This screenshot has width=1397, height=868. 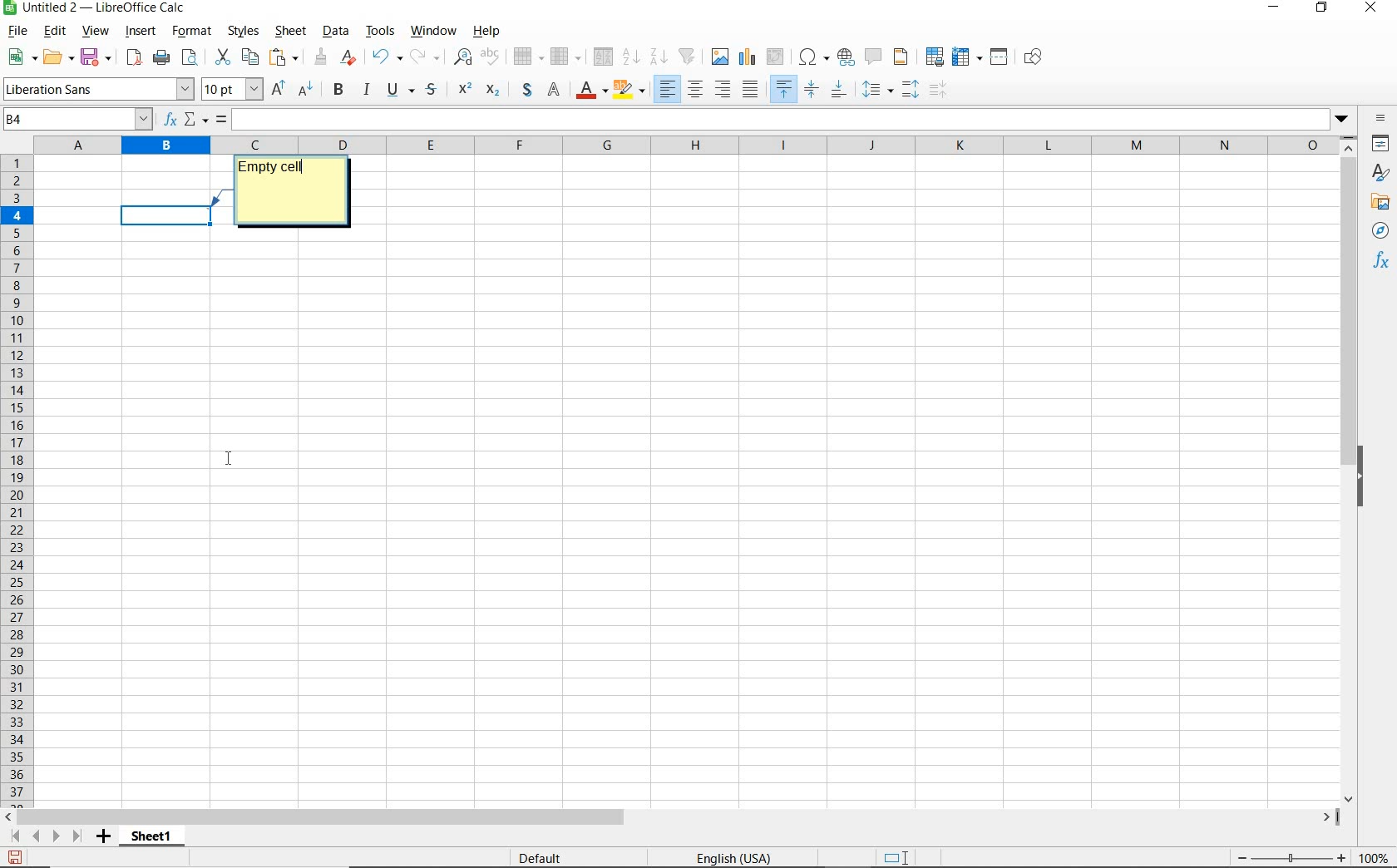 What do you see at coordinates (100, 9) in the screenshot?
I see `file name` at bounding box center [100, 9].